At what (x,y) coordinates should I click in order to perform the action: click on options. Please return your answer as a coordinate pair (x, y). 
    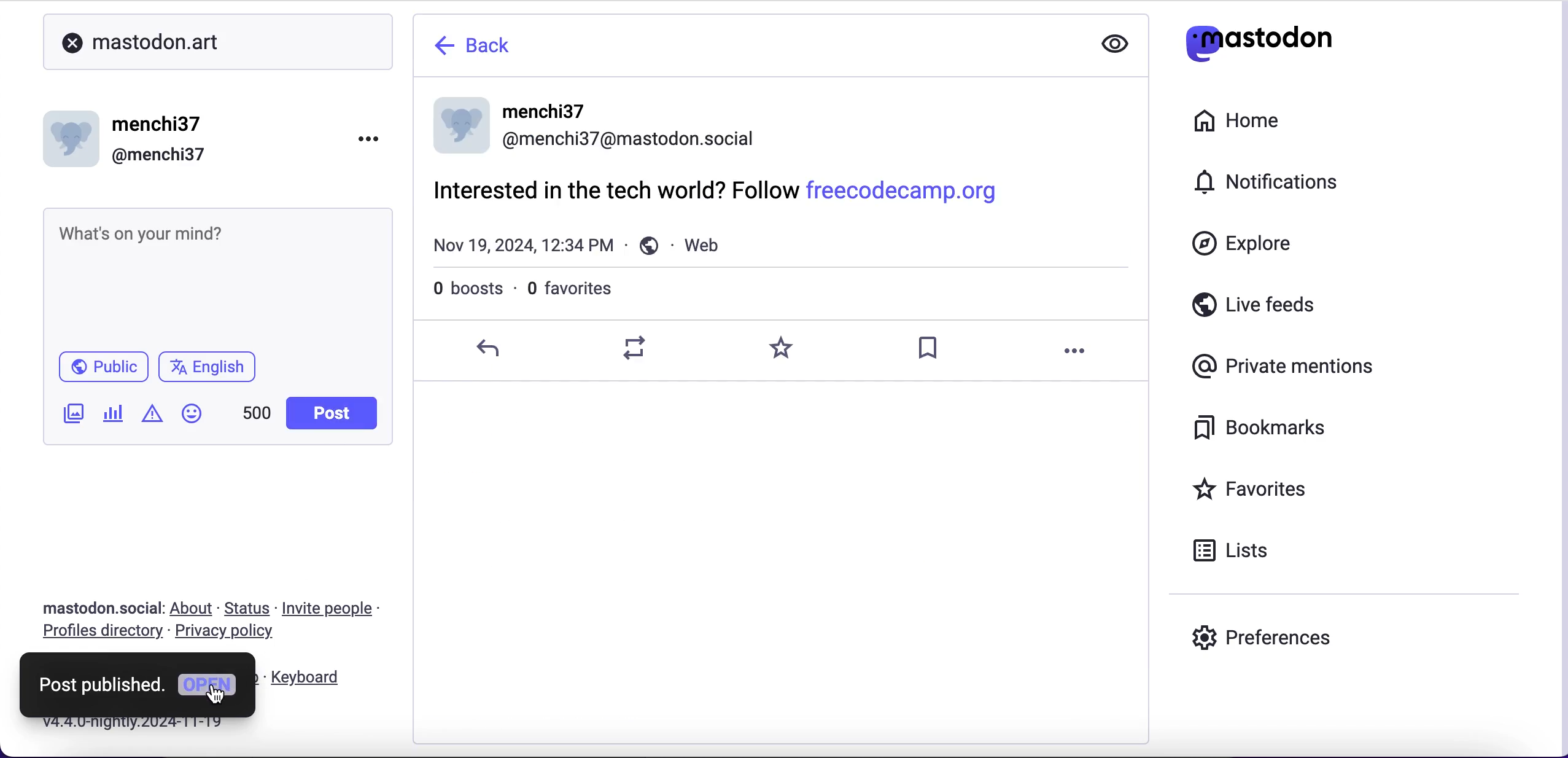
    Looking at the image, I should click on (368, 136).